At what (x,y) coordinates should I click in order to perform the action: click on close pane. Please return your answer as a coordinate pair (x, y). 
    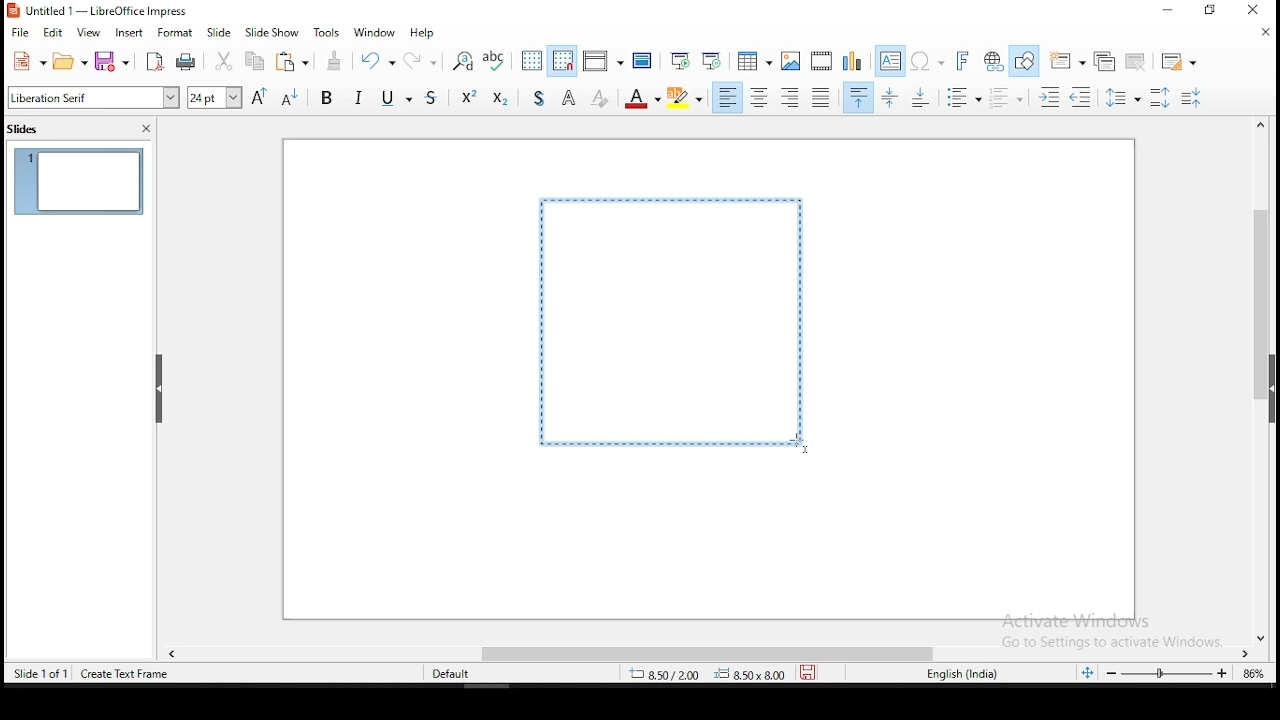
    Looking at the image, I should click on (156, 389).